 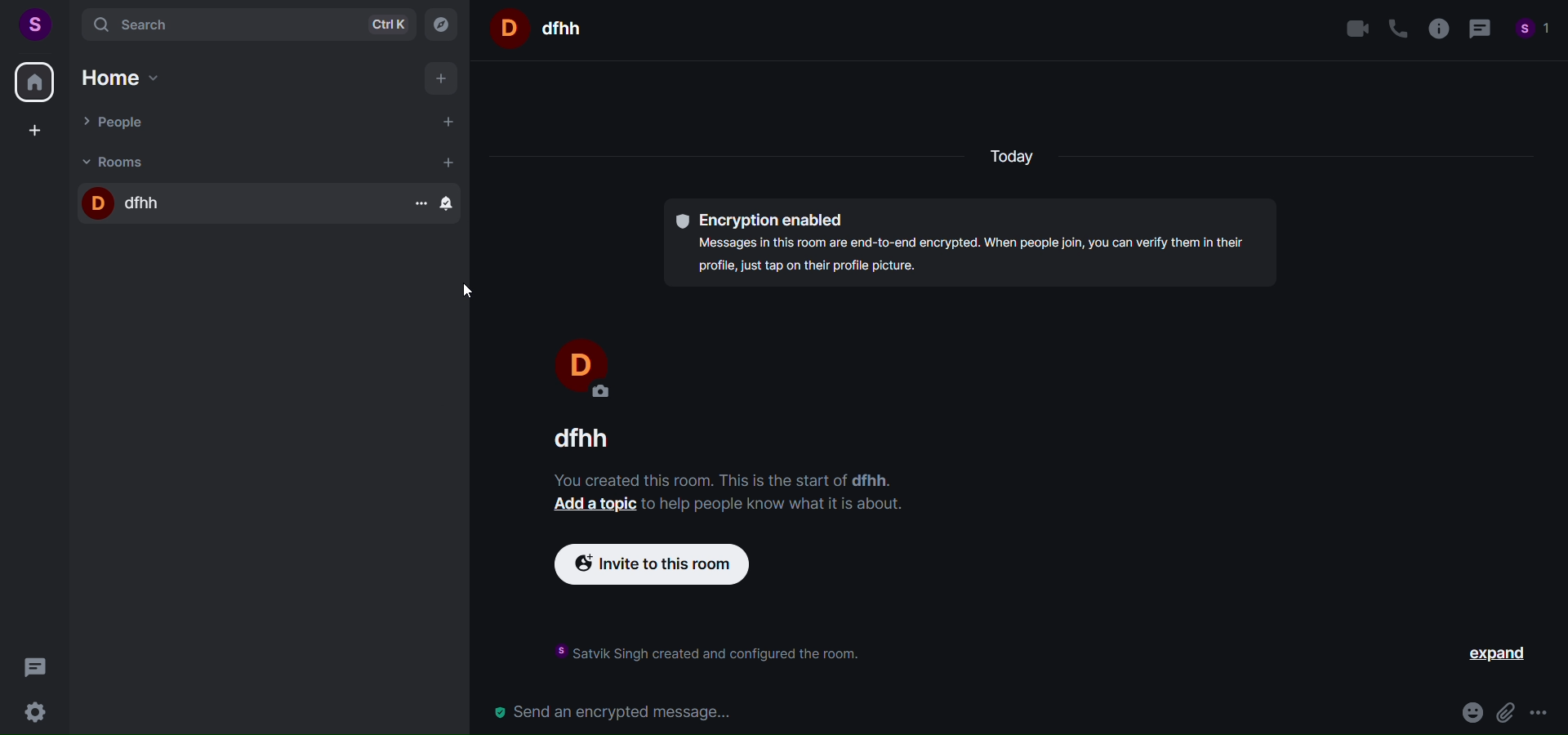 I want to click on rooms, so click(x=232, y=163).